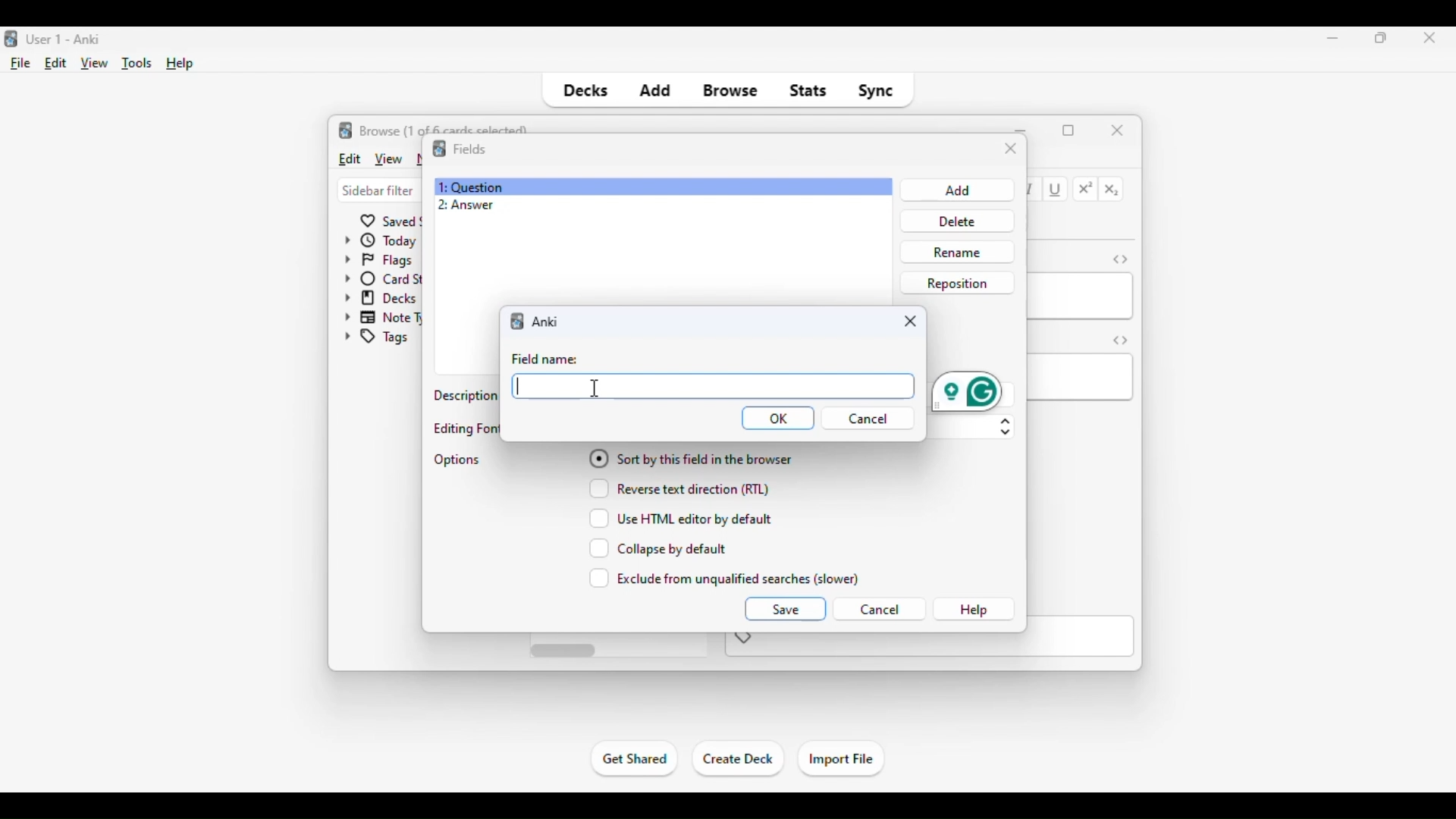 The image size is (1456, 819). Describe the element at coordinates (1333, 37) in the screenshot. I see `minimize` at that location.